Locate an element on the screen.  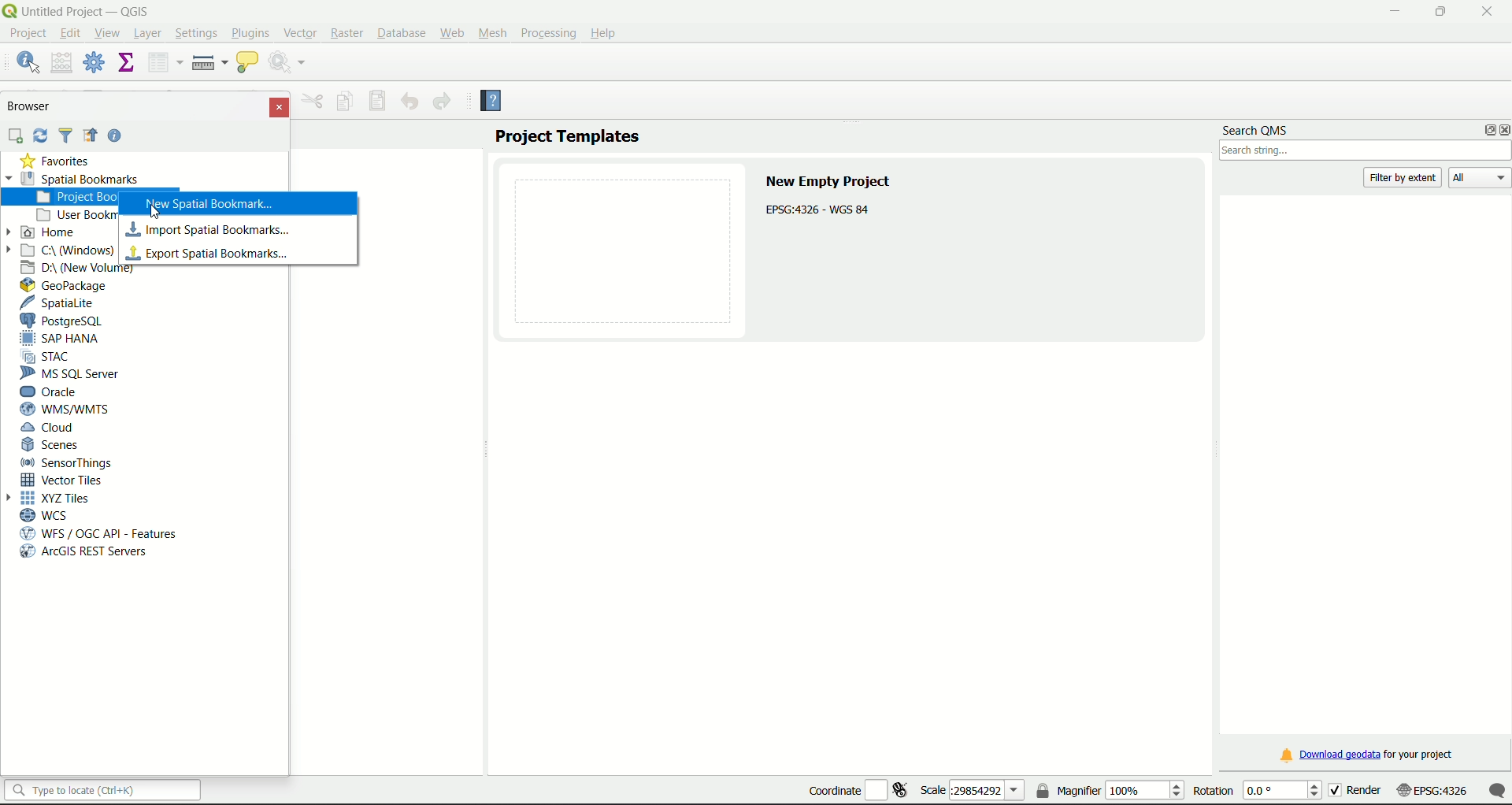
SAP Hana is located at coordinates (62, 339).